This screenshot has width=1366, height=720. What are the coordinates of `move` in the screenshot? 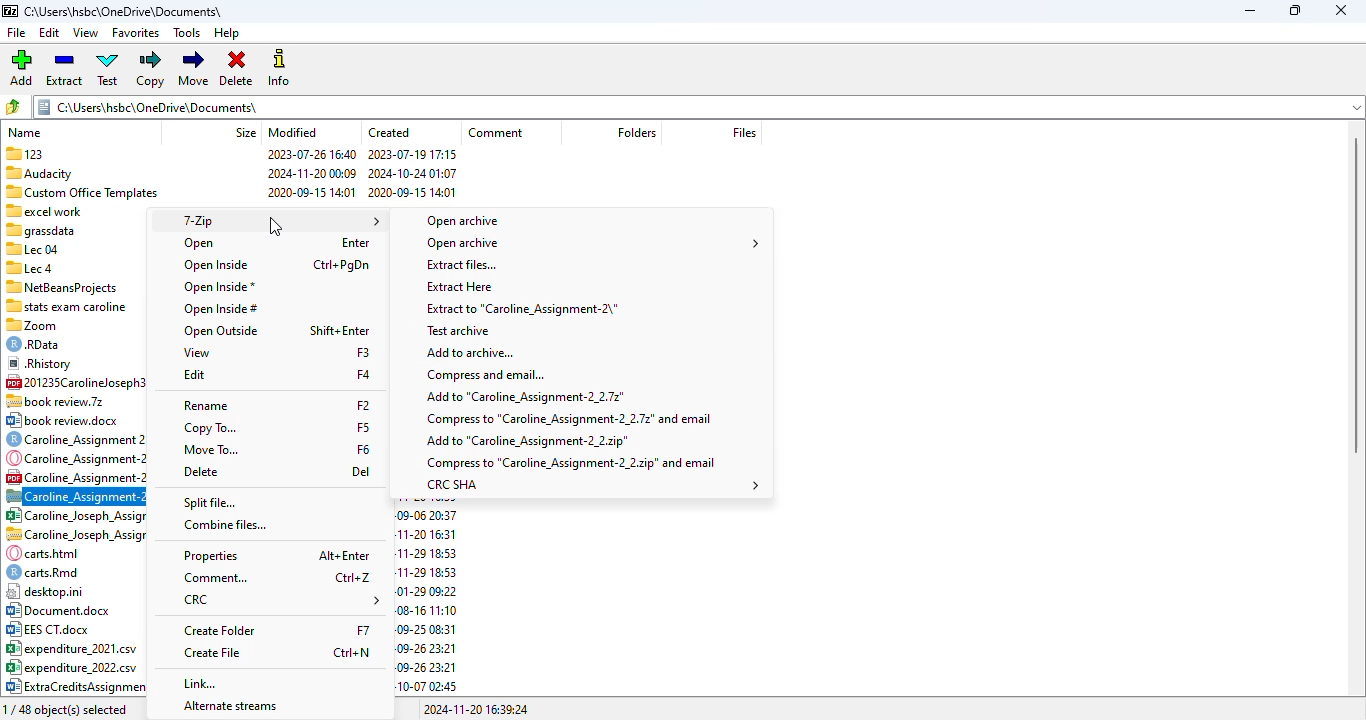 It's located at (195, 68).